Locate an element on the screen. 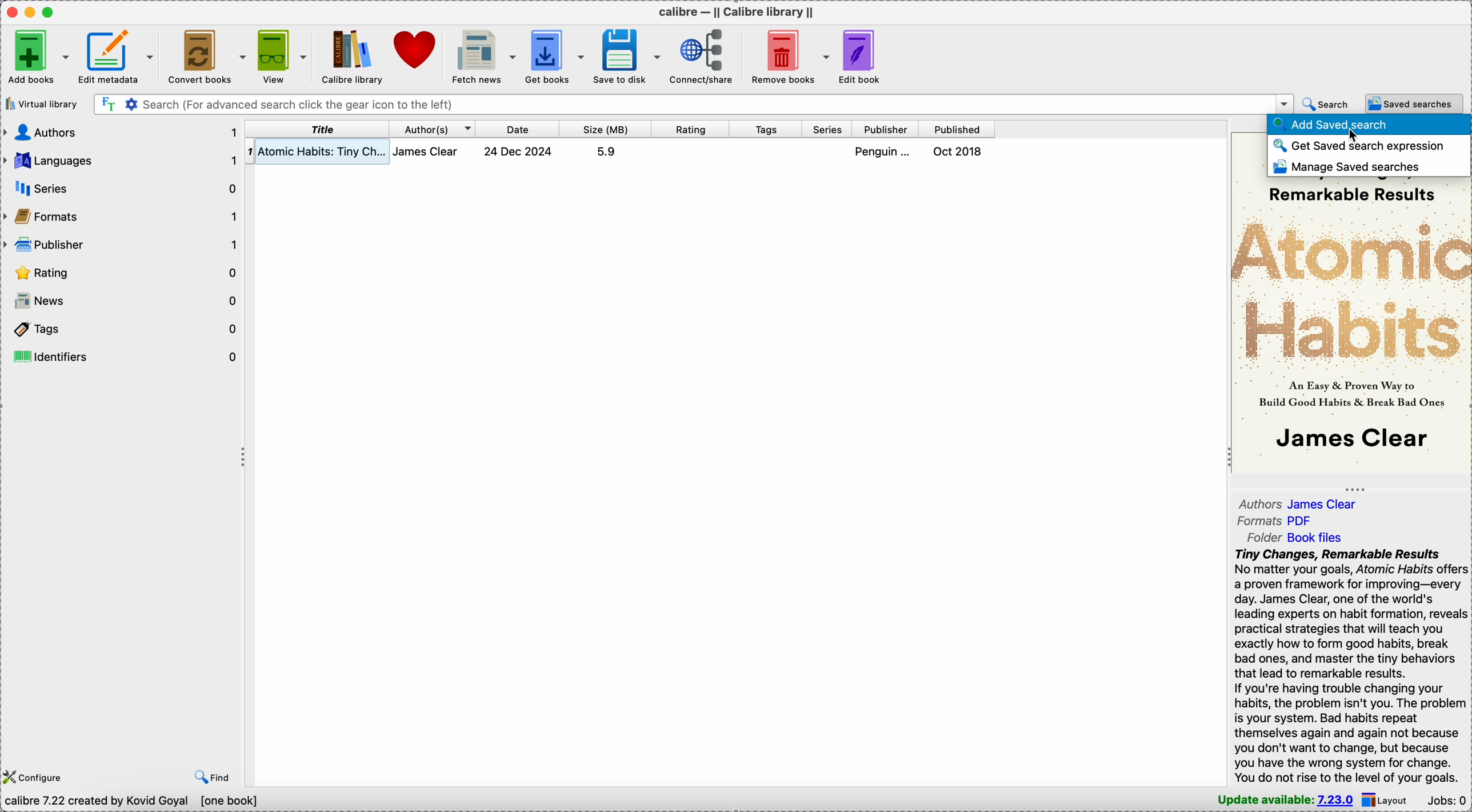 This screenshot has height=812, width=1472. add saved search is located at coordinates (1367, 124).